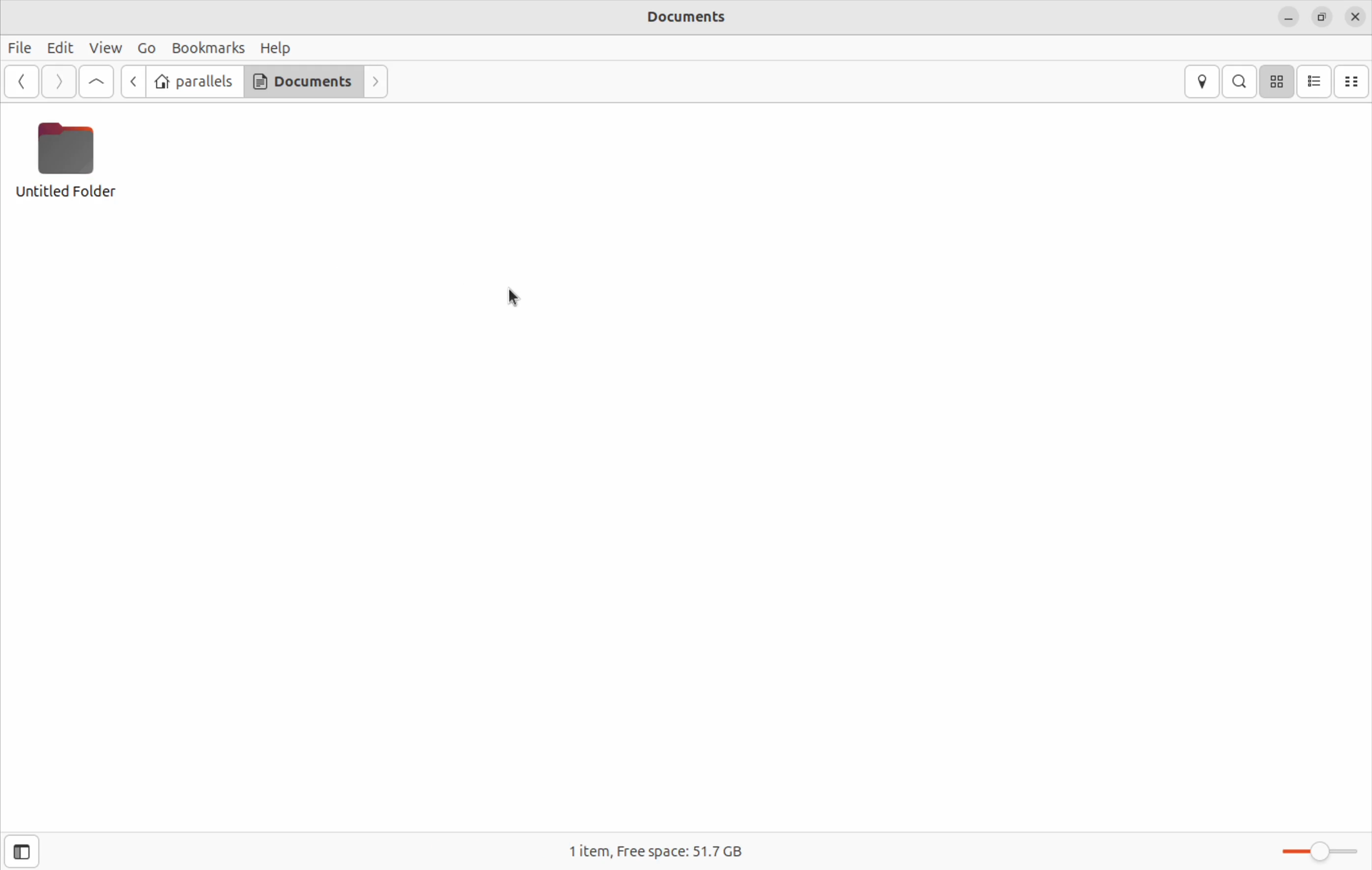 The height and width of the screenshot is (870, 1372). Describe the element at coordinates (666, 849) in the screenshot. I see `1 item, Free space: 51.7 GB` at that location.